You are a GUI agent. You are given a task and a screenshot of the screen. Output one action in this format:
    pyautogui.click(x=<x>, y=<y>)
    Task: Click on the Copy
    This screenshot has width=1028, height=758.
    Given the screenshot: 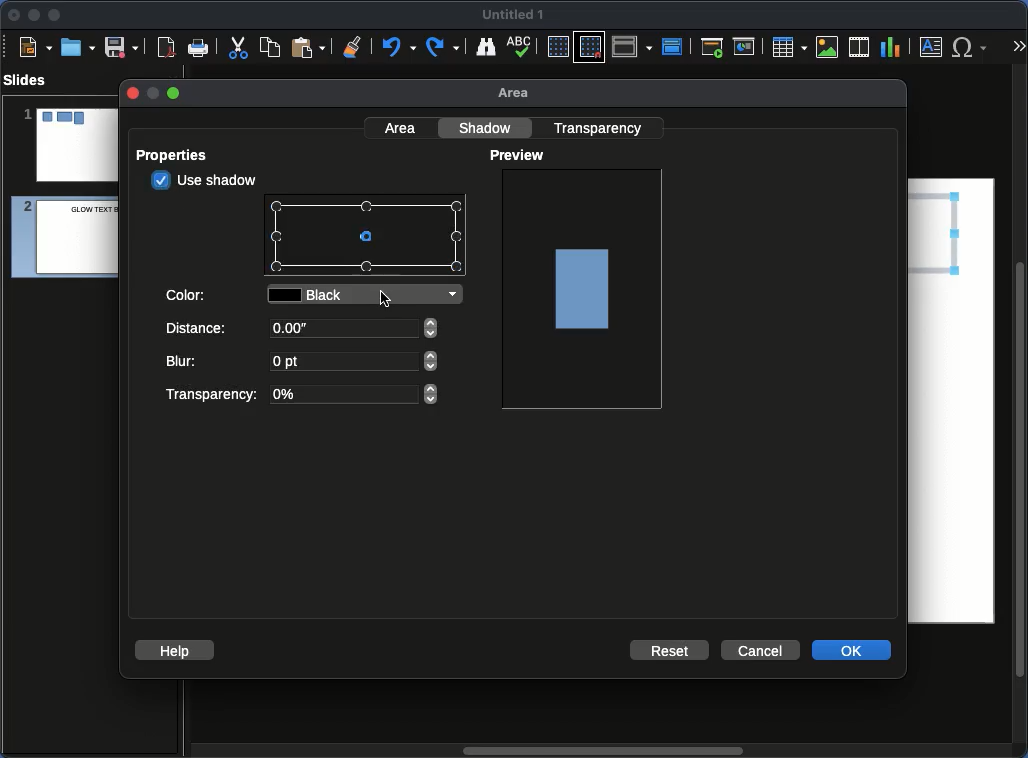 What is the action you would take?
    pyautogui.click(x=270, y=46)
    